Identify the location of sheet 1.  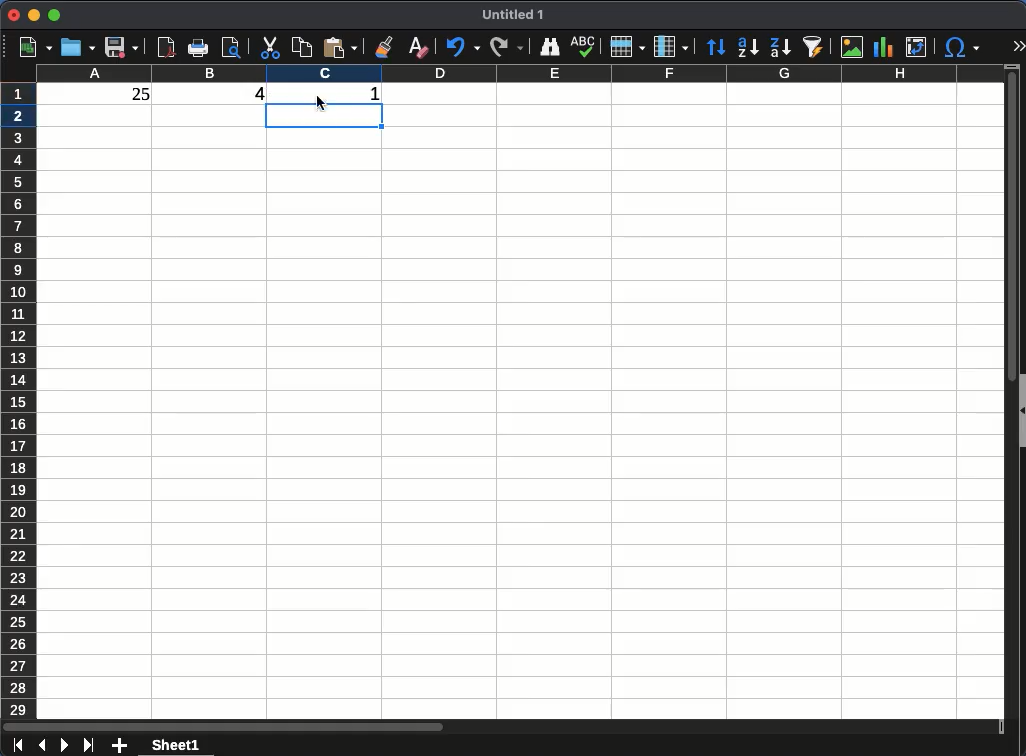
(176, 744).